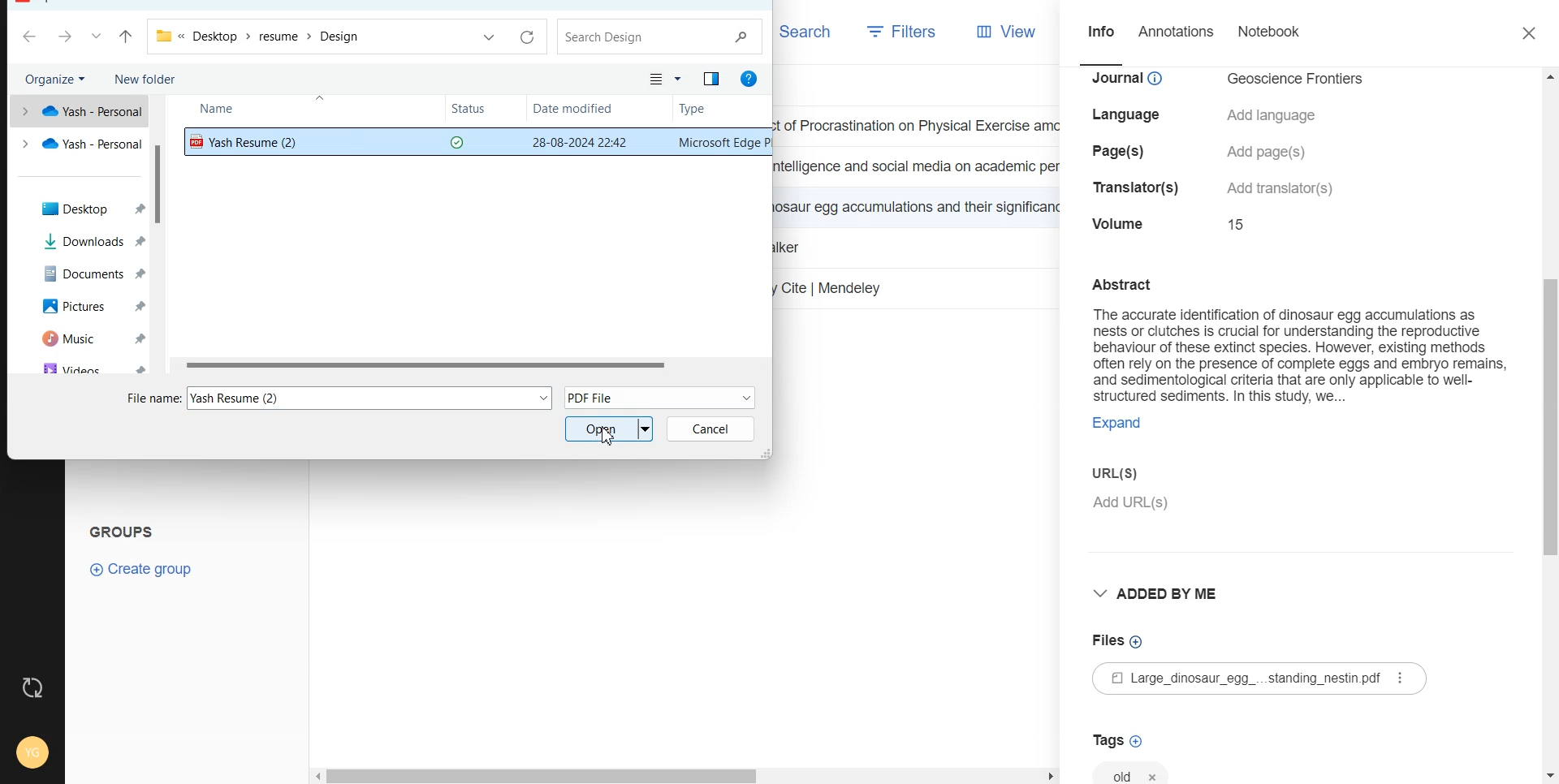 This screenshot has height=784, width=1559. Describe the element at coordinates (1531, 34) in the screenshot. I see `Close` at that location.